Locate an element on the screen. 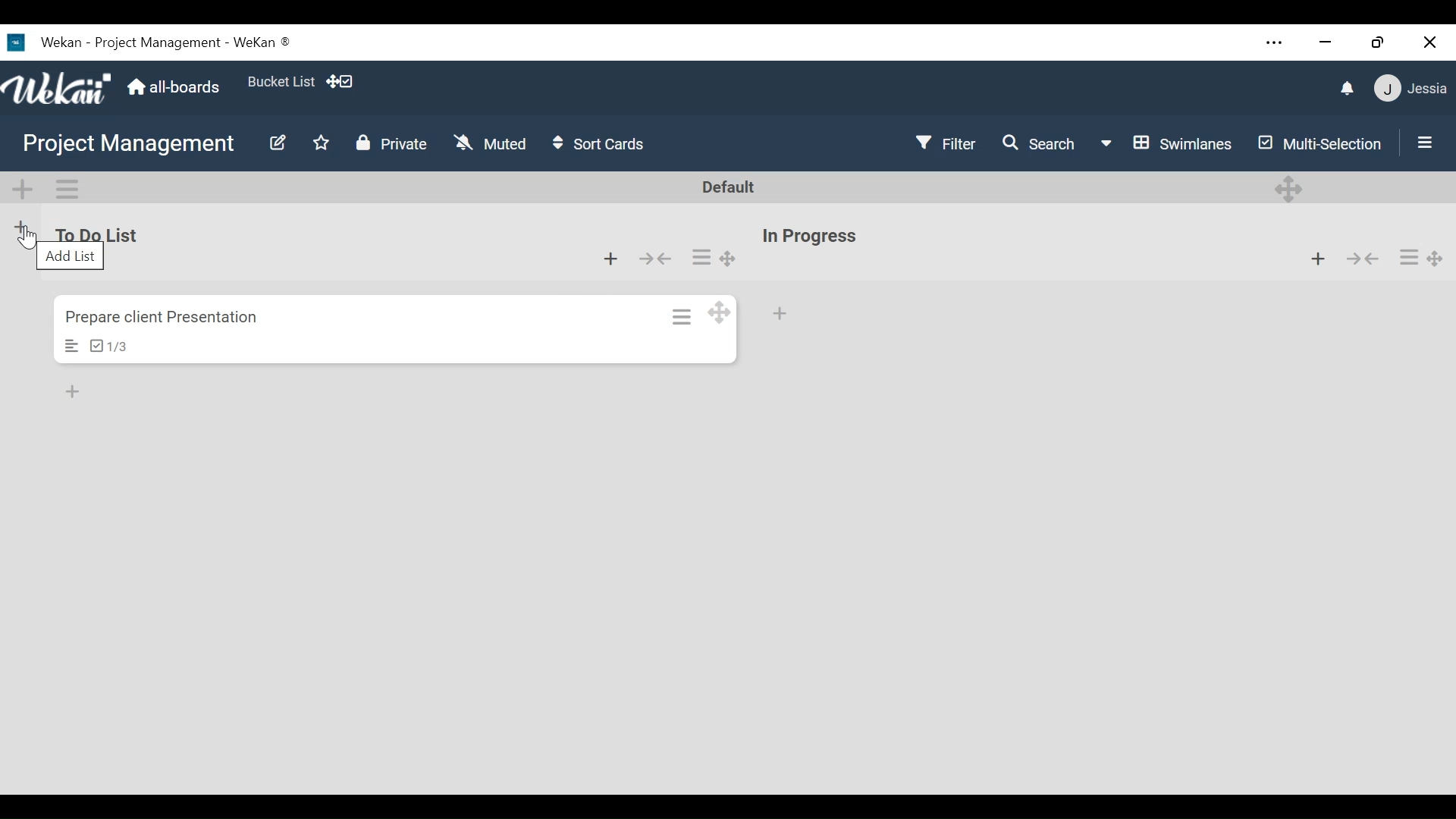 The height and width of the screenshot is (819, 1456). Show Sidebar is located at coordinates (1425, 140).